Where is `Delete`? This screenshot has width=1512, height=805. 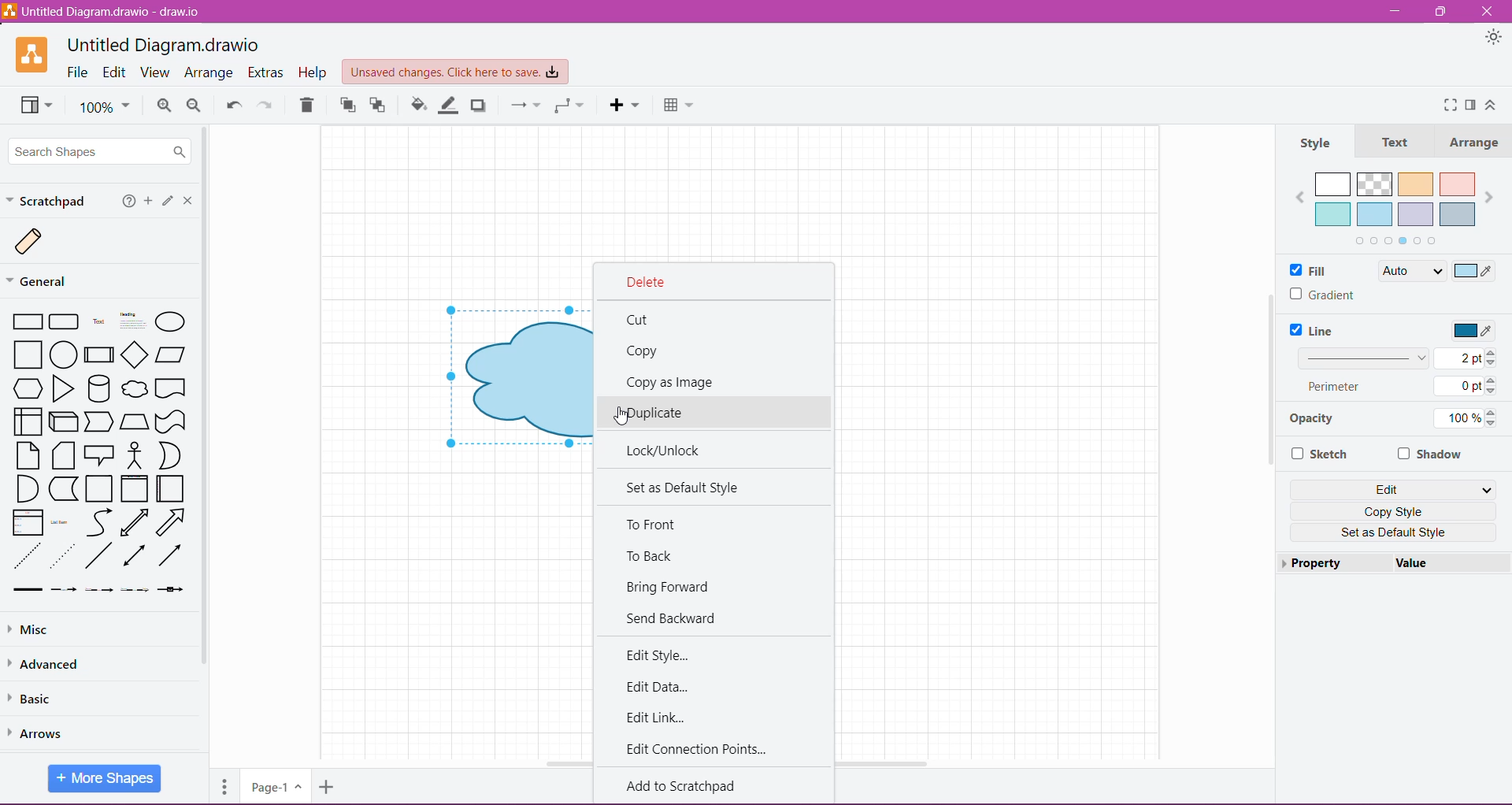 Delete is located at coordinates (655, 282).